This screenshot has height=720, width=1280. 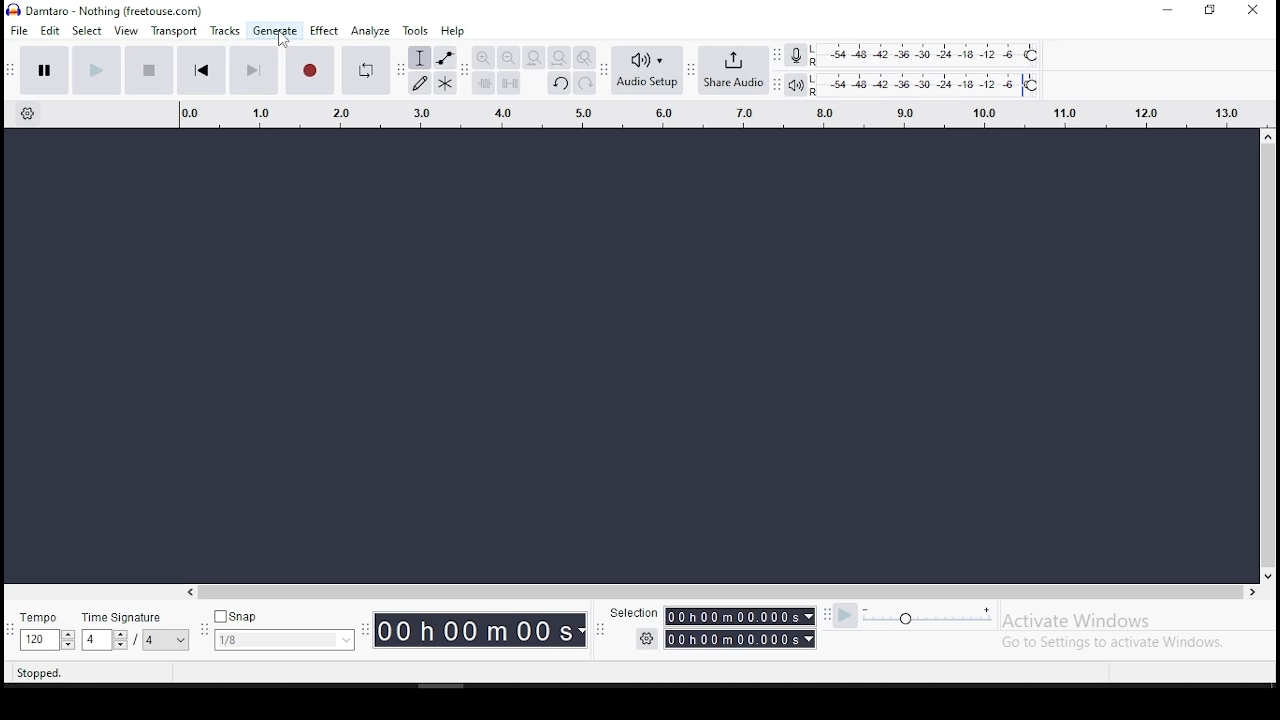 I want to click on record meter, so click(x=797, y=56).